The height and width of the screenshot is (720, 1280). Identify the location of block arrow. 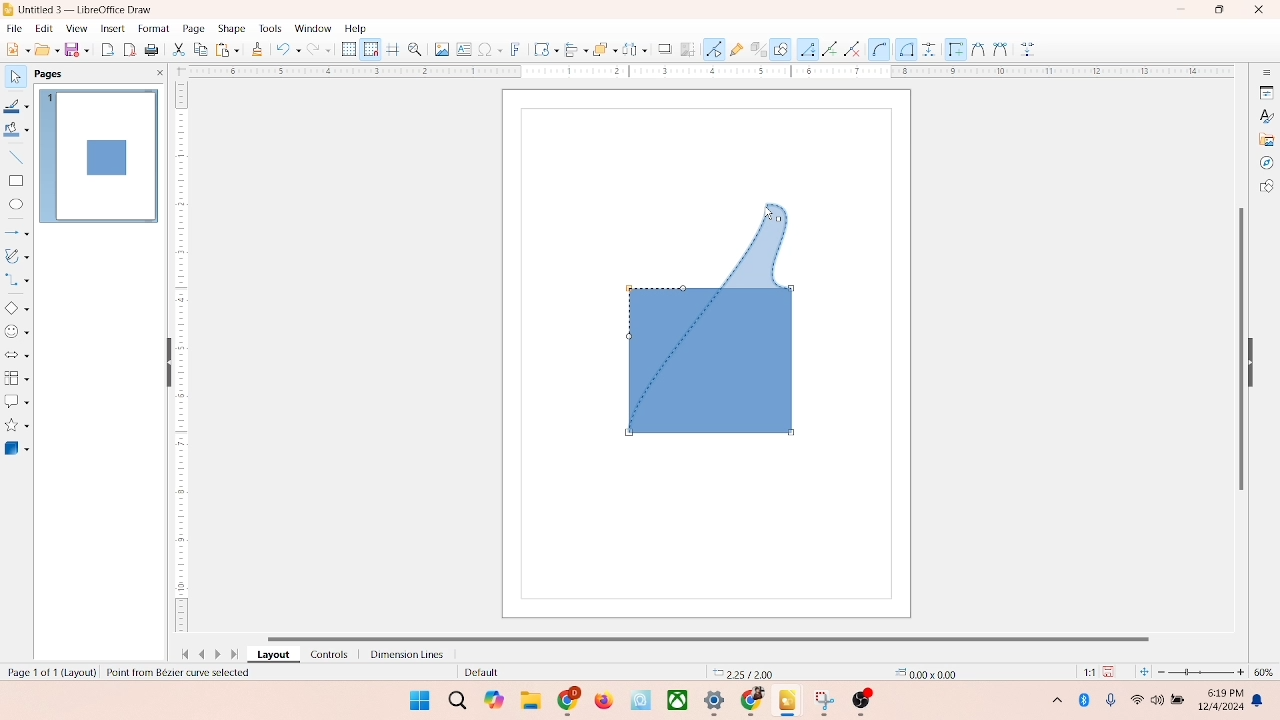
(17, 356).